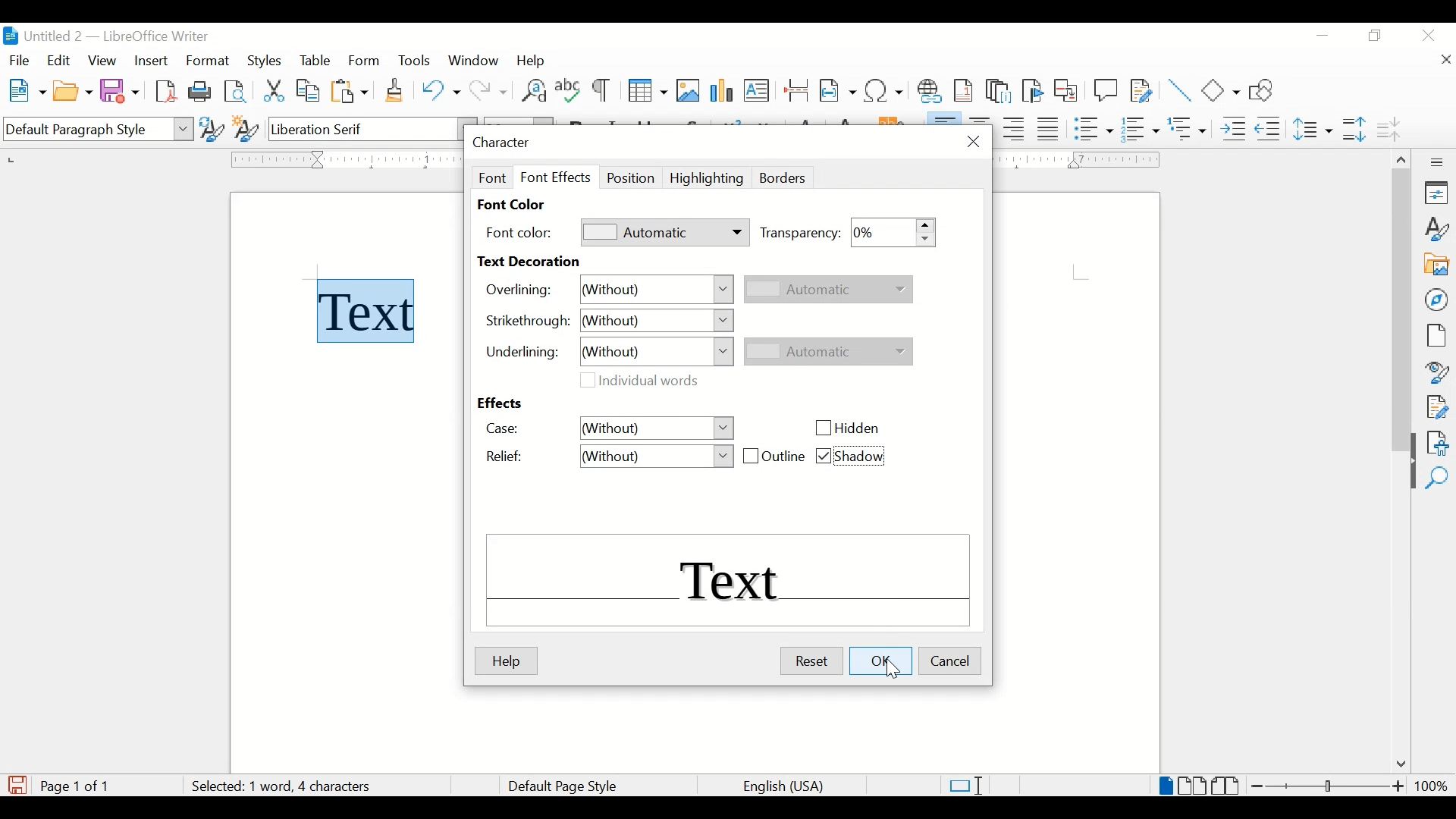 The width and height of the screenshot is (1456, 819). What do you see at coordinates (656, 456) in the screenshot?
I see `relief drop down menu` at bounding box center [656, 456].